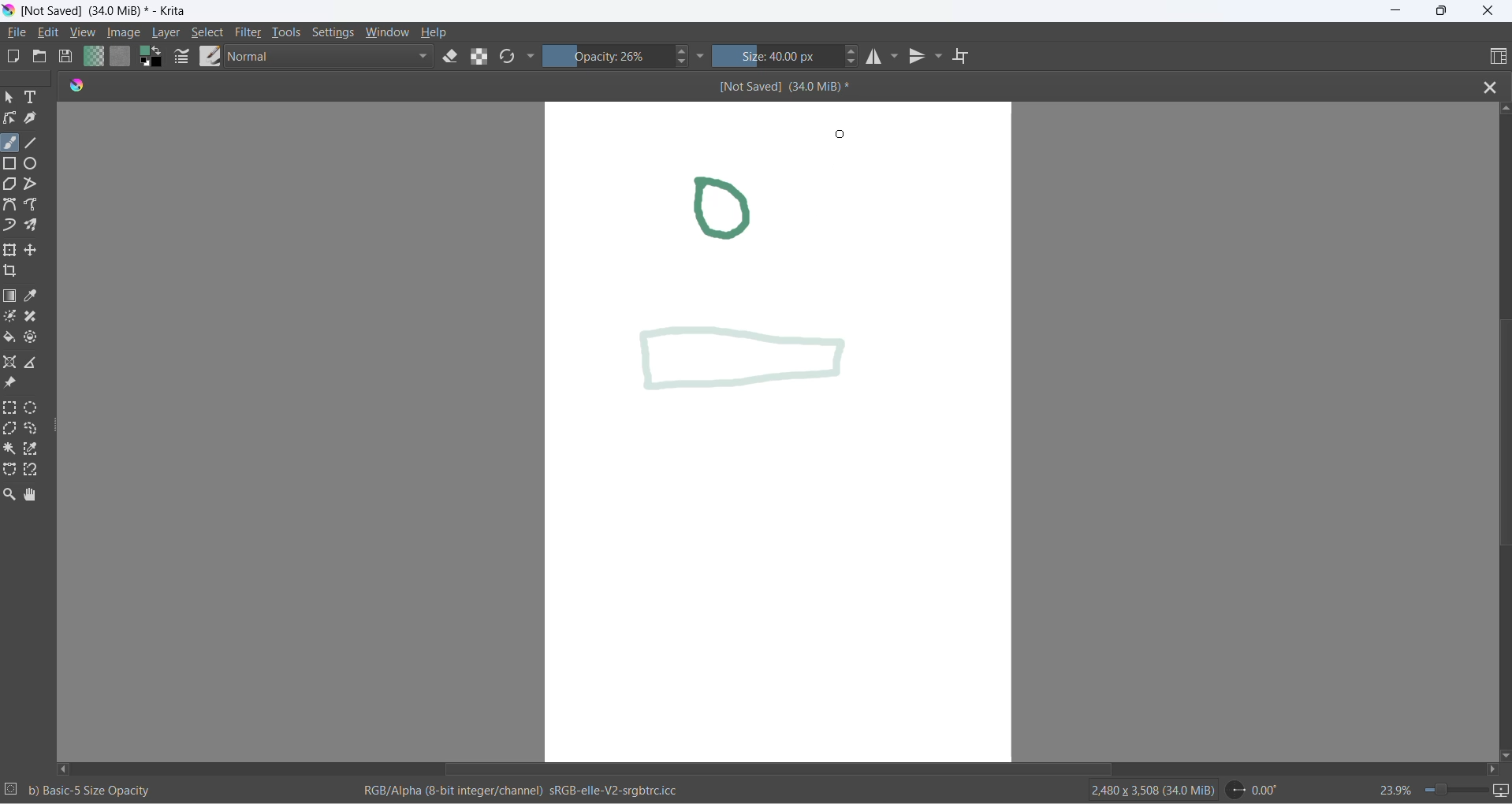 This screenshot has width=1512, height=804. I want to click on vertical mirror tool, so click(919, 57).